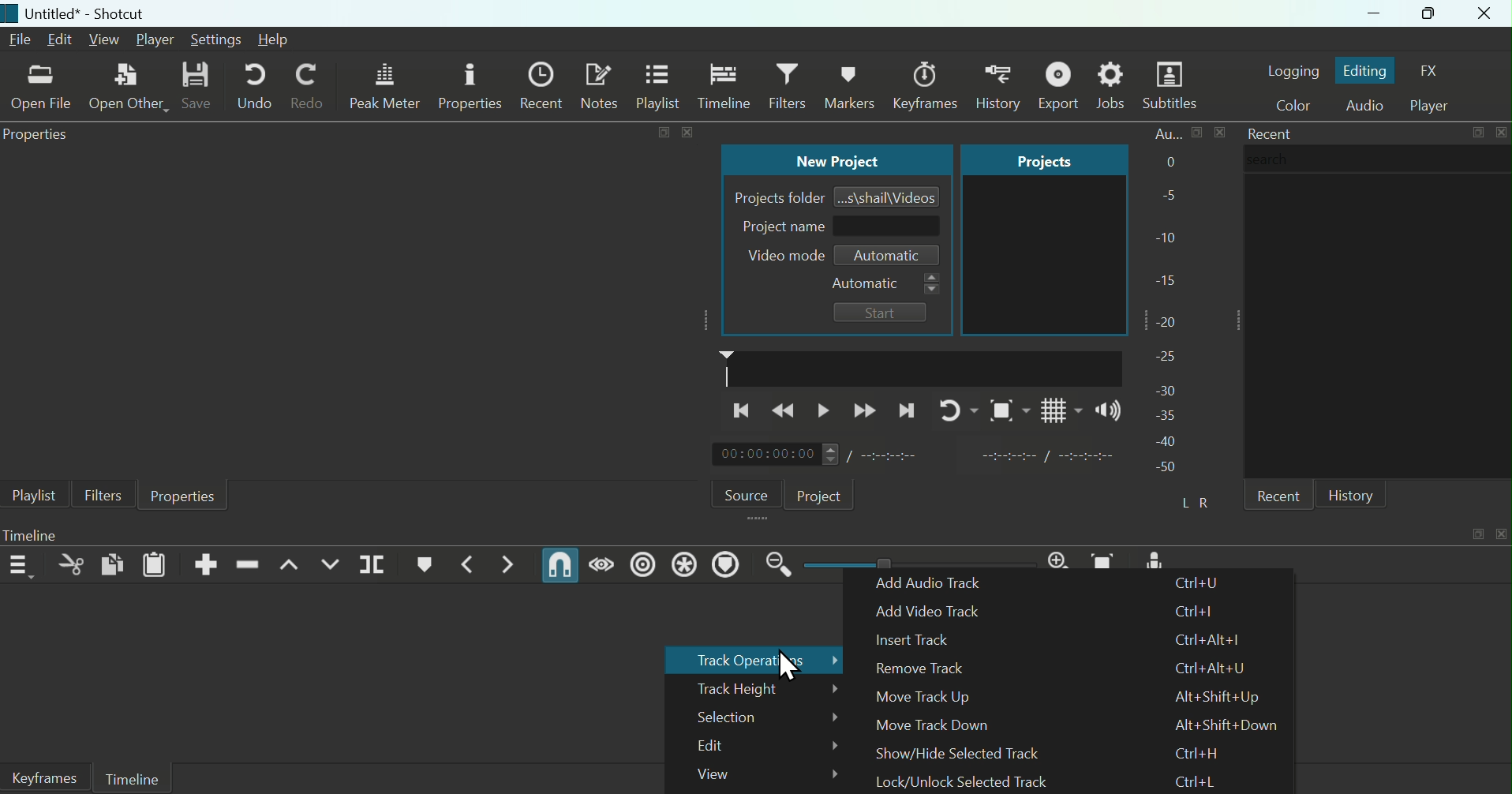 This screenshot has height=794, width=1512. I want to click on Grid layout, so click(1060, 409).